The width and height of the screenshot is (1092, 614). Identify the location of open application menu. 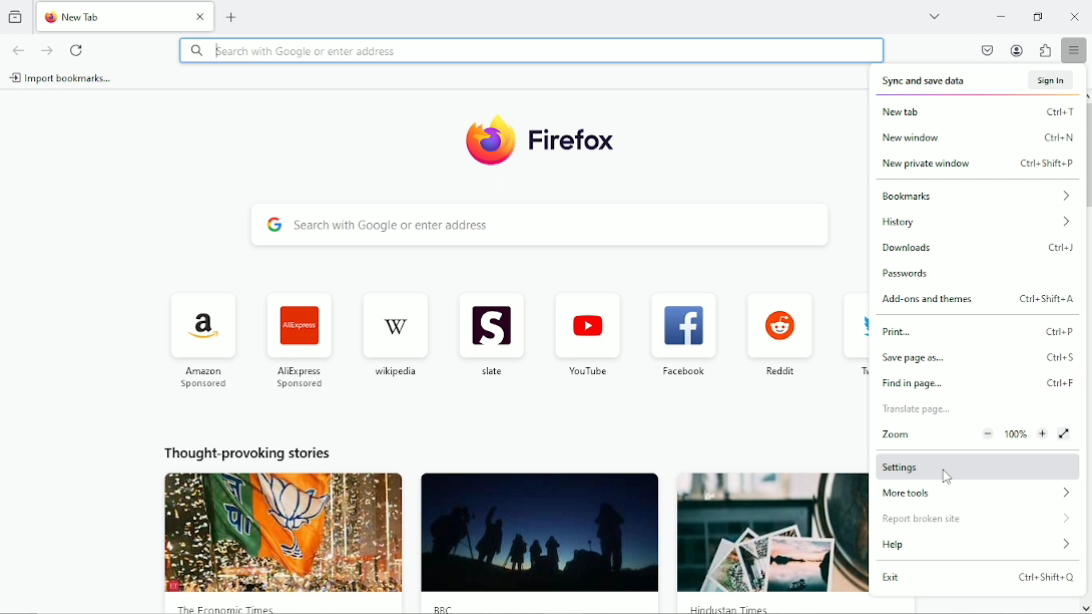
(1074, 52).